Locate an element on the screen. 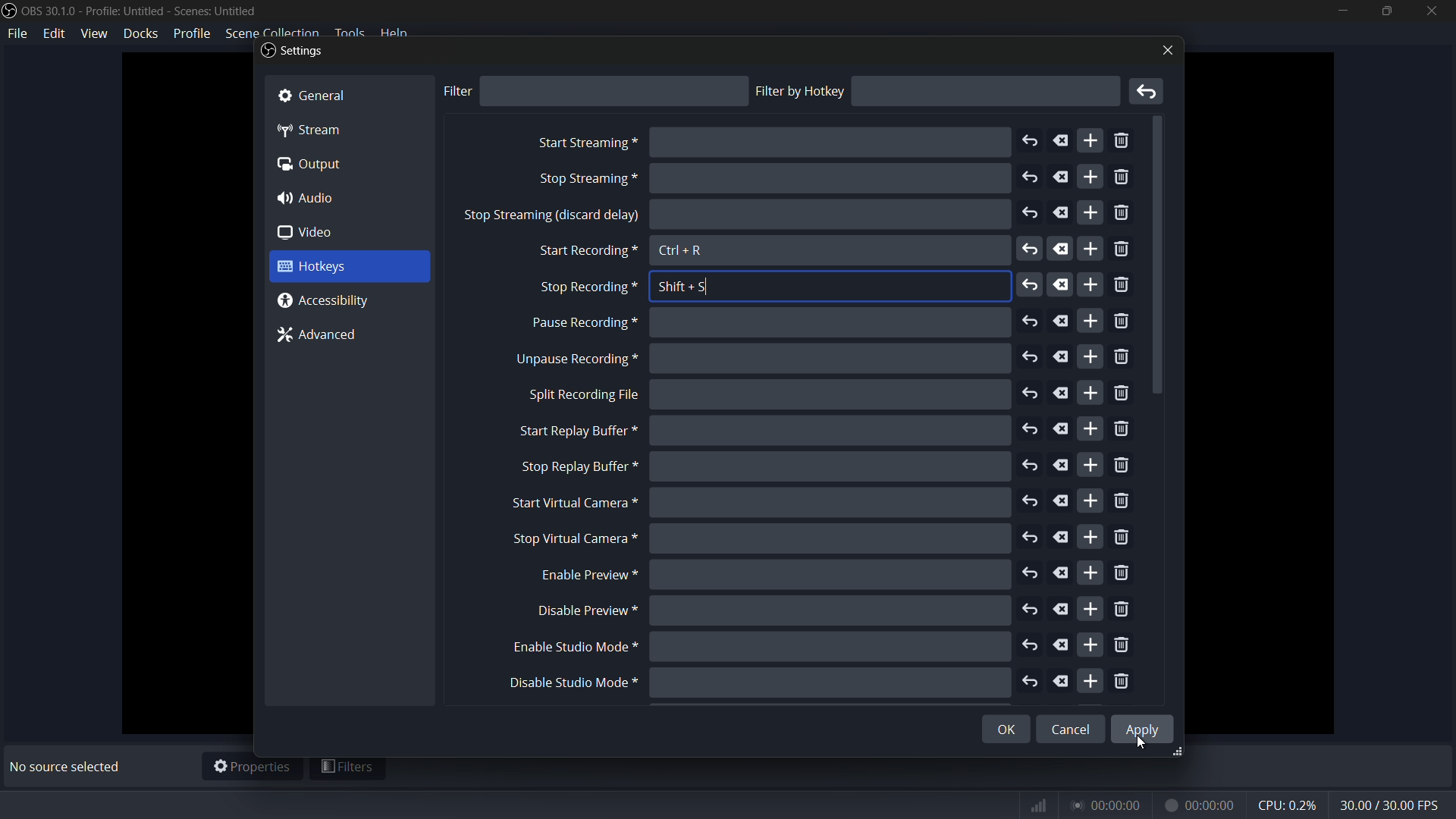 This screenshot has height=819, width=1456. delete is located at coordinates (1059, 501).